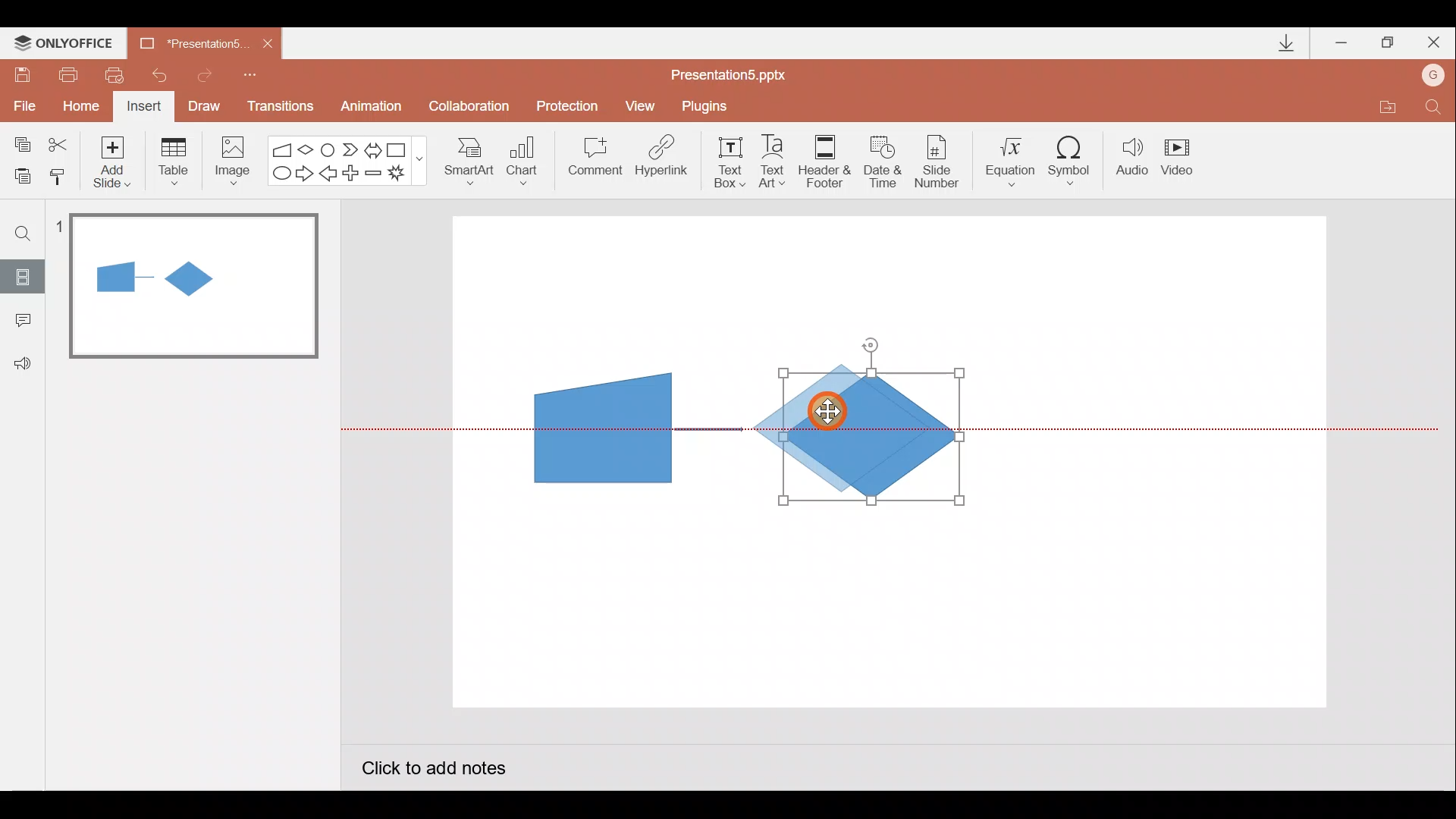  What do you see at coordinates (777, 161) in the screenshot?
I see `Text Art` at bounding box center [777, 161].